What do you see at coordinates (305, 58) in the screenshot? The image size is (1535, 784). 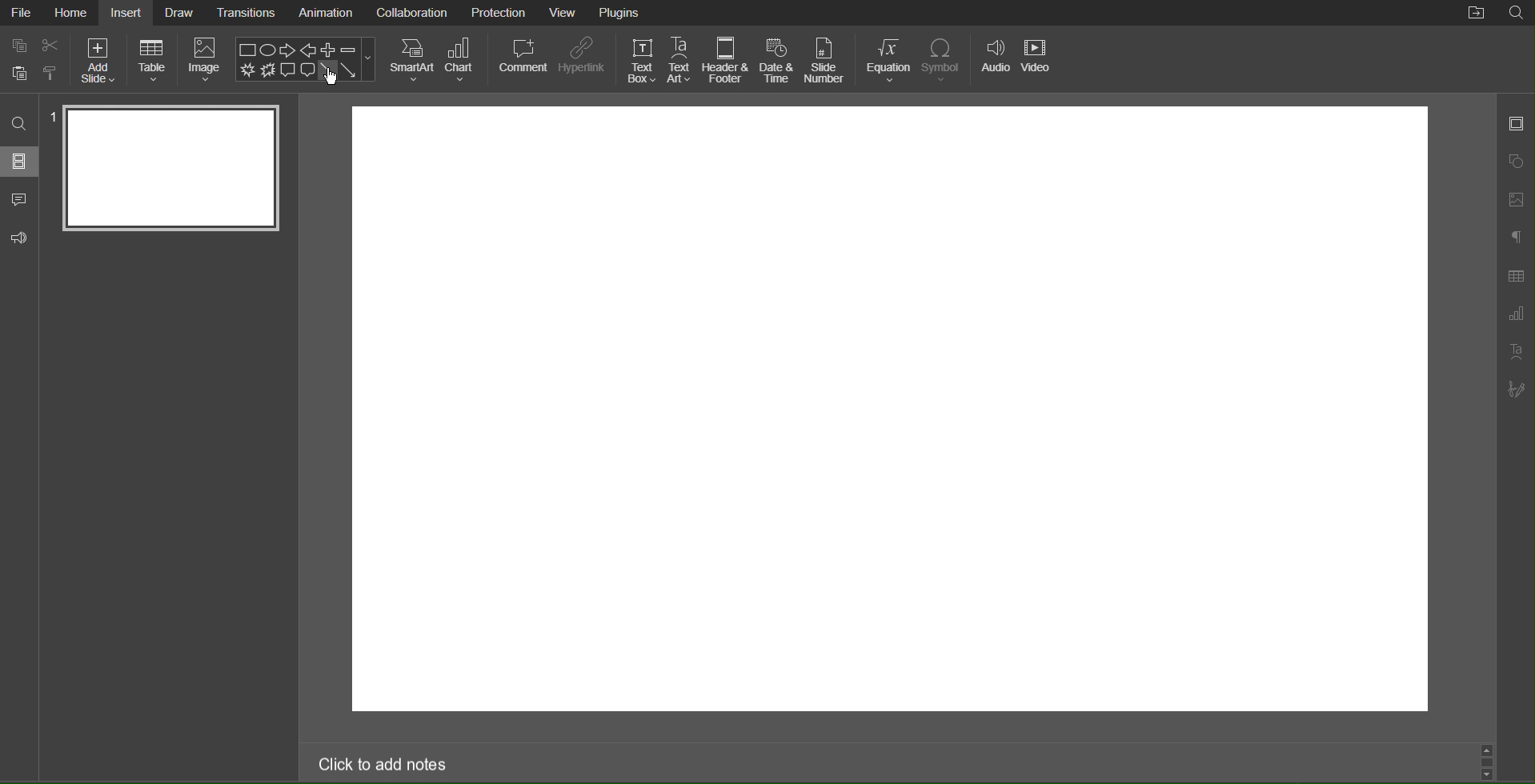 I see `Shape Menu` at bounding box center [305, 58].